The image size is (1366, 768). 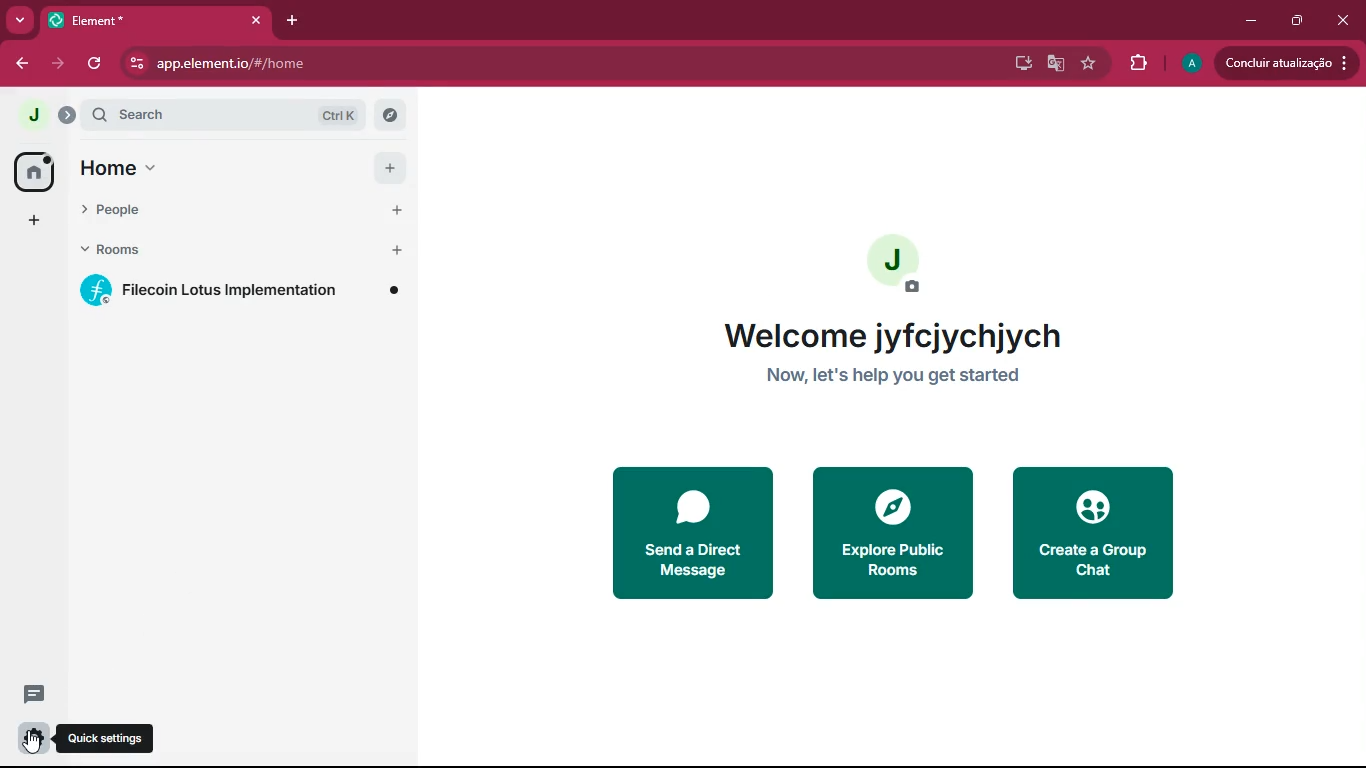 What do you see at coordinates (124, 250) in the screenshot?
I see `rooms` at bounding box center [124, 250].